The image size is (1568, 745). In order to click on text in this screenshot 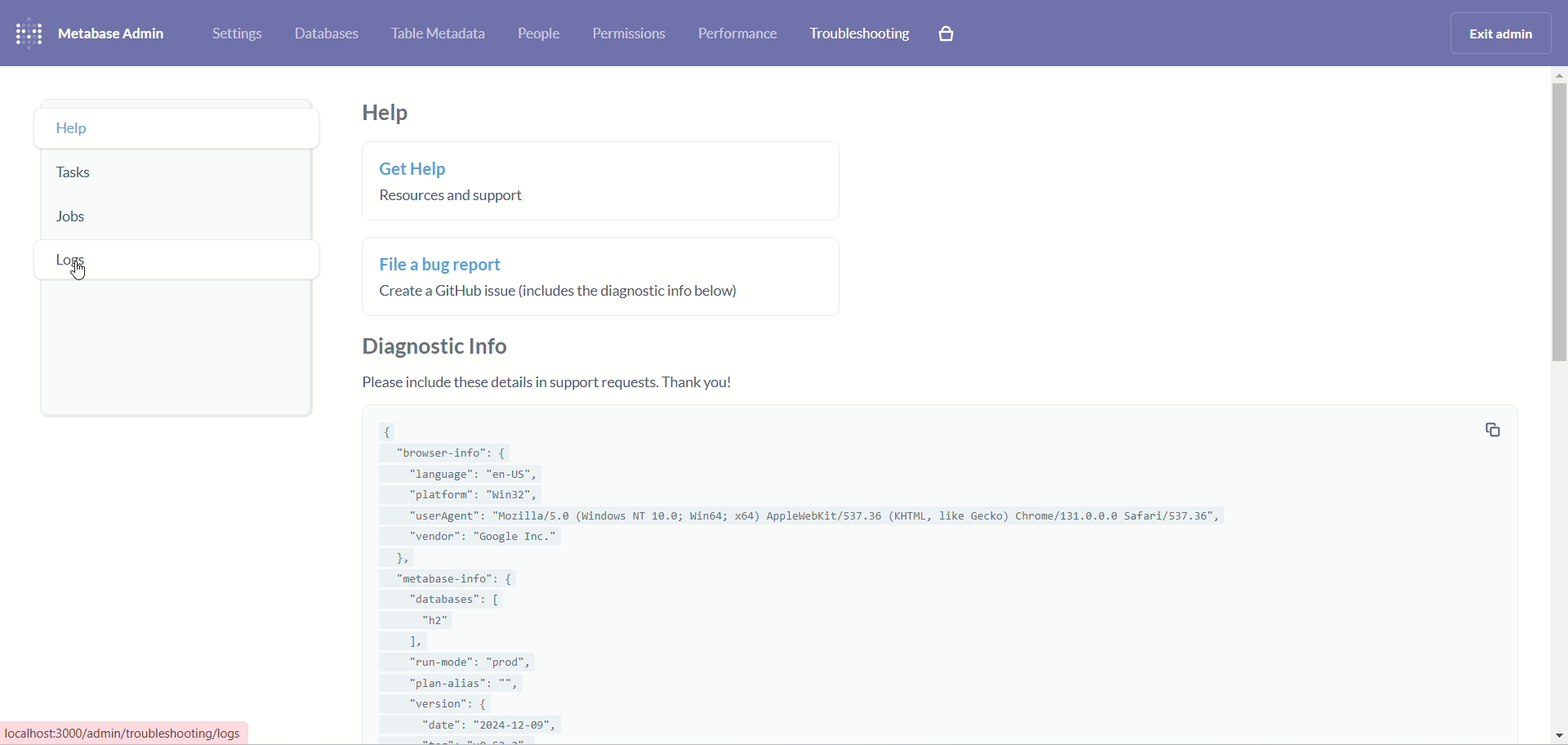, I will do `click(143, 732)`.